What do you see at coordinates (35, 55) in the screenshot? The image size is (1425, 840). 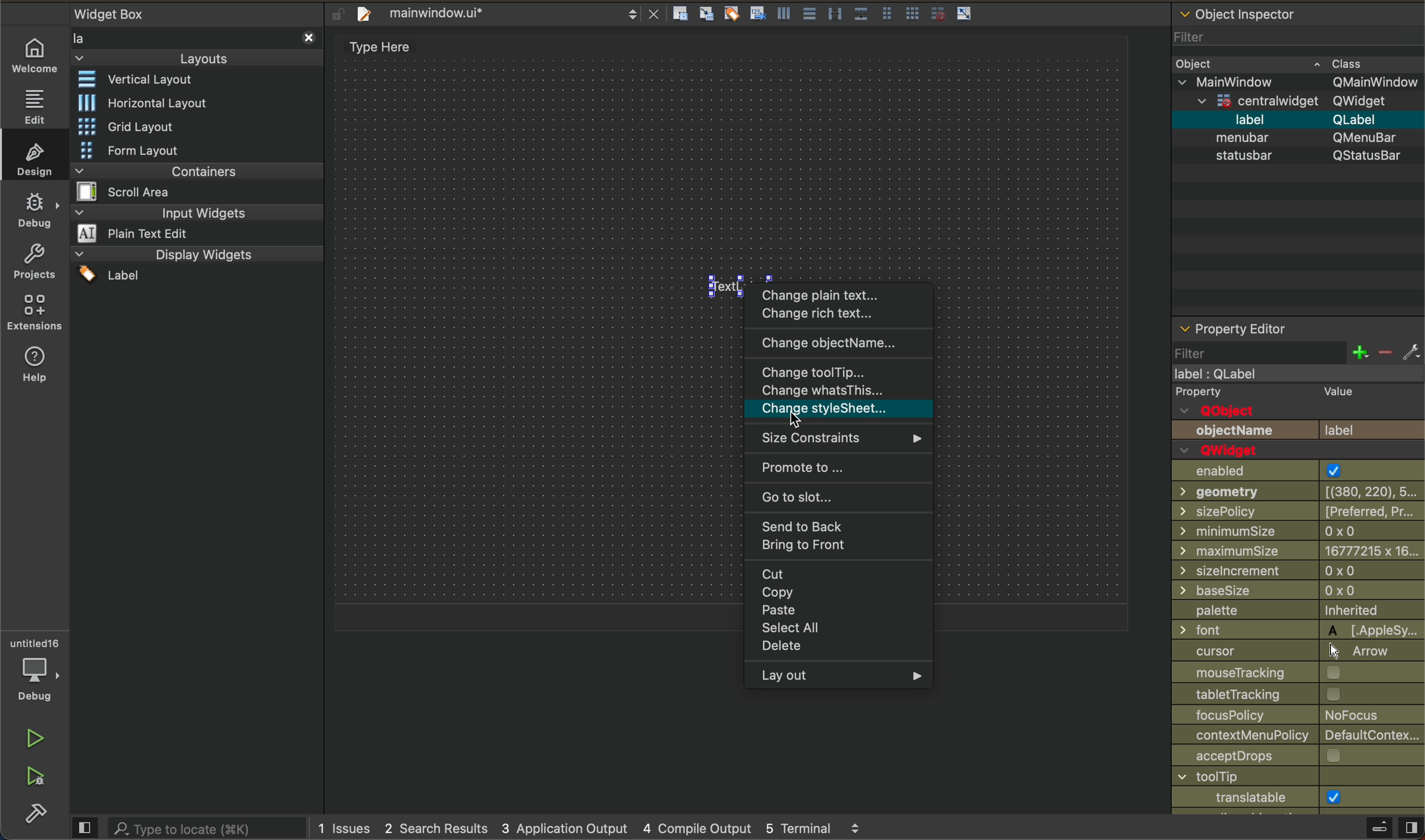 I see `welcome` at bounding box center [35, 55].